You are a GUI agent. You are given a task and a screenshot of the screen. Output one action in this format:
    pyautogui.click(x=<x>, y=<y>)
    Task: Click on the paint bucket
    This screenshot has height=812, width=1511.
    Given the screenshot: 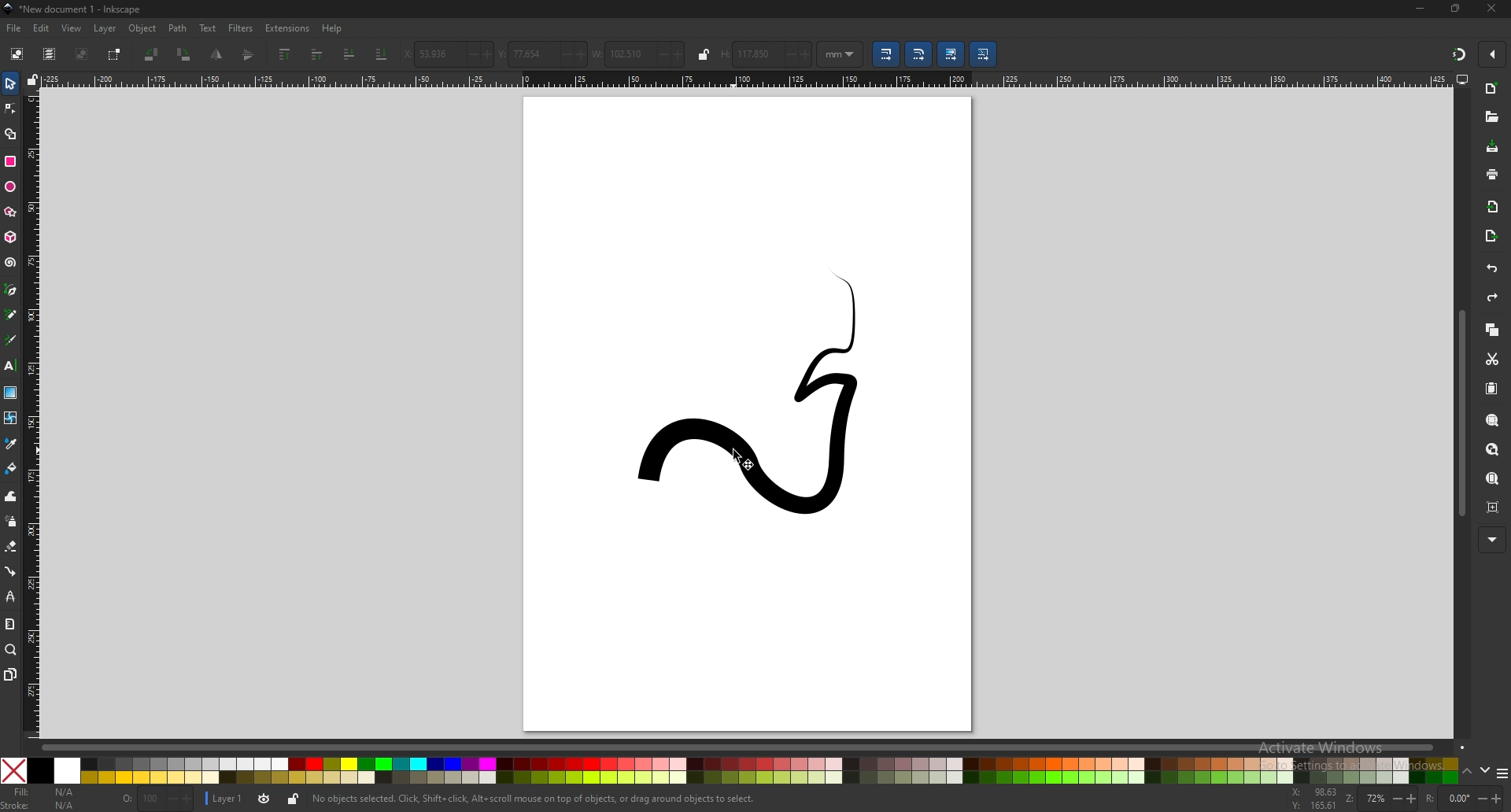 What is the action you would take?
    pyautogui.click(x=11, y=467)
    